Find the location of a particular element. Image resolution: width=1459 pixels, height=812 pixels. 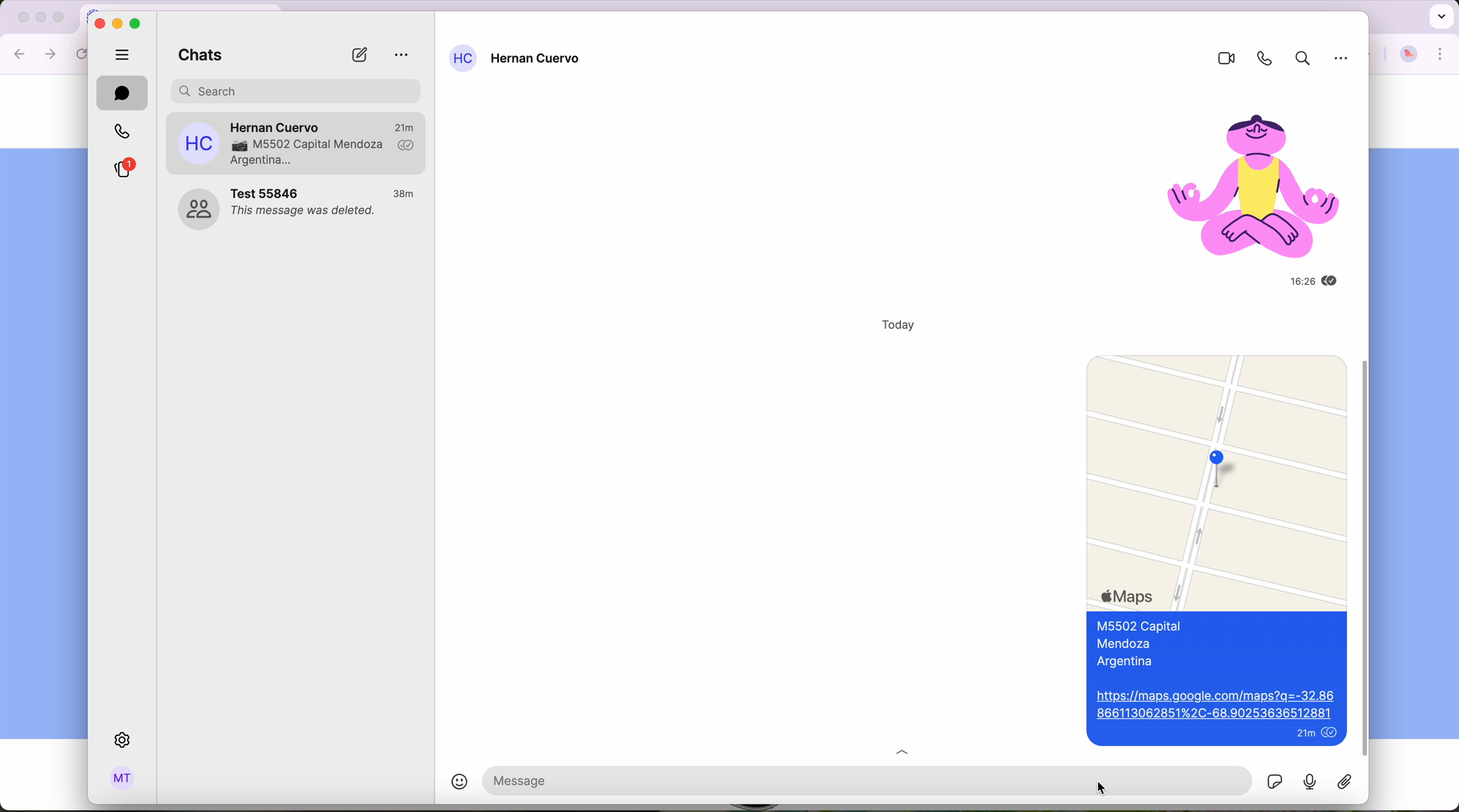

search tabs is located at coordinates (1440, 15).